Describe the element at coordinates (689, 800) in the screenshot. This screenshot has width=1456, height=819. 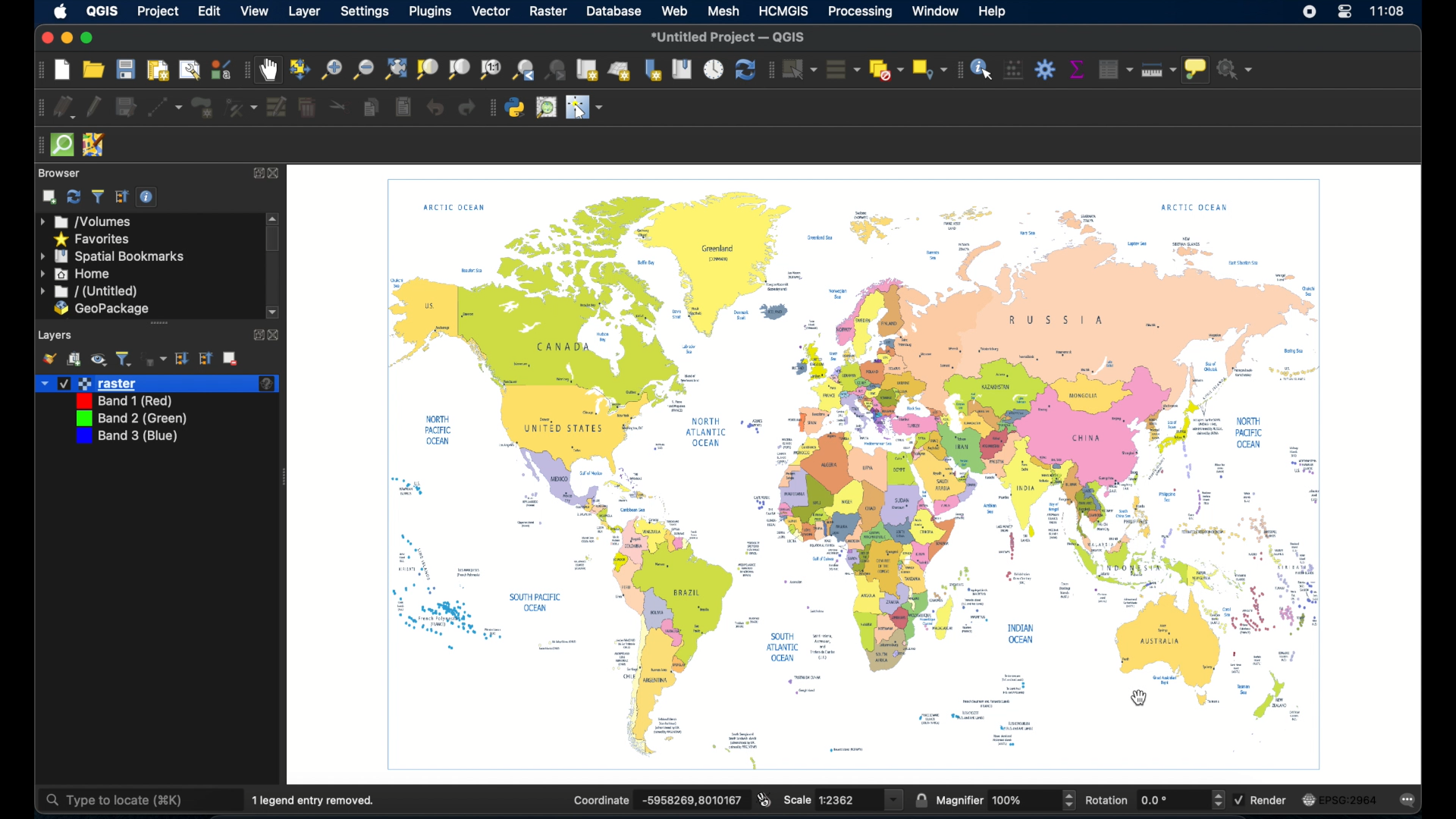
I see `coordinate` at that location.